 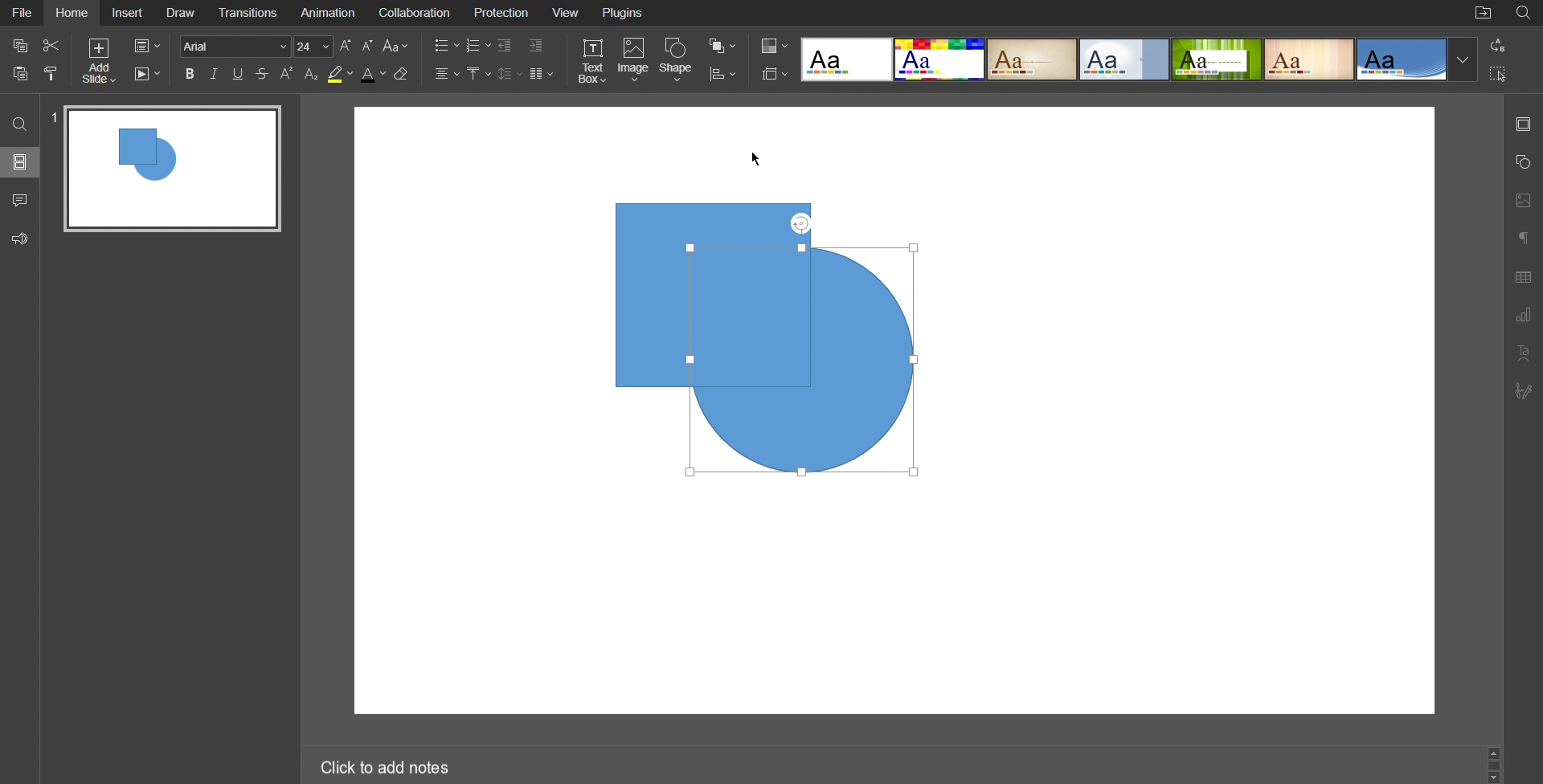 What do you see at coordinates (373, 75) in the screenshot?
I see `Text Color` at bounding box center [373, 75].